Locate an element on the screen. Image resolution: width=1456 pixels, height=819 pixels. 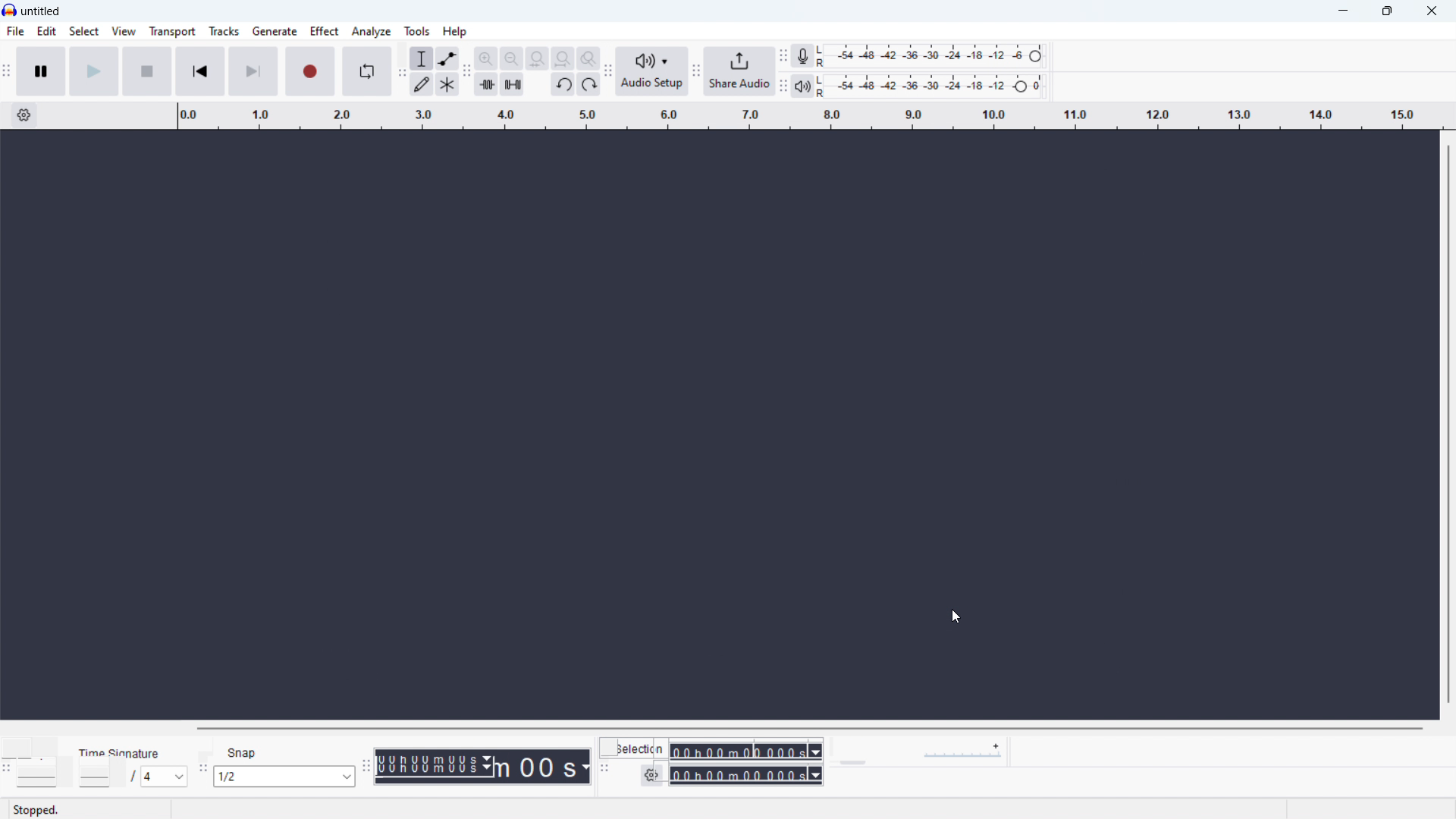
timeline is located at coordinates (807, 116).